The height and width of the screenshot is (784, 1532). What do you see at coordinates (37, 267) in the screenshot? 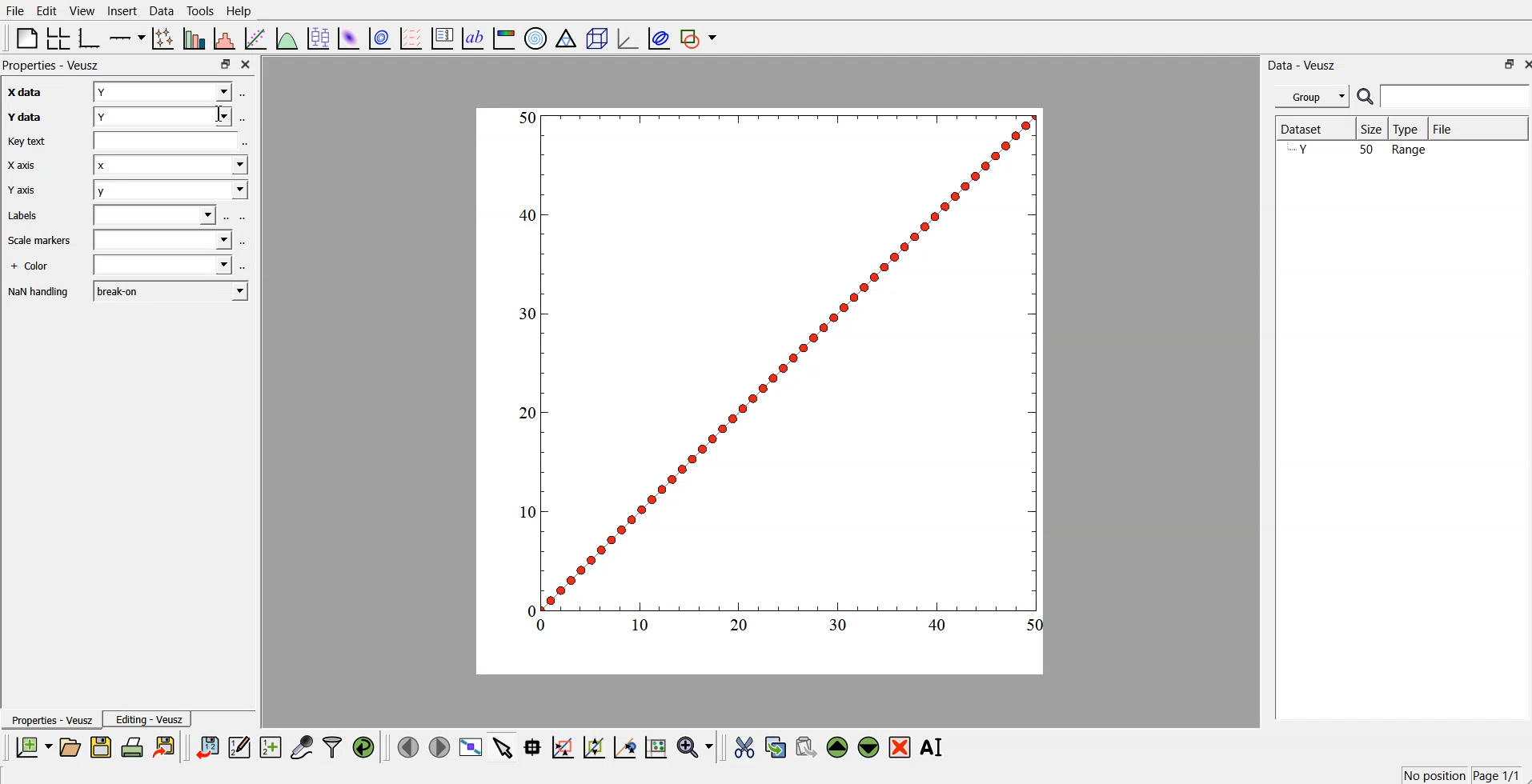
I see `` at bounding box center [37, 267].